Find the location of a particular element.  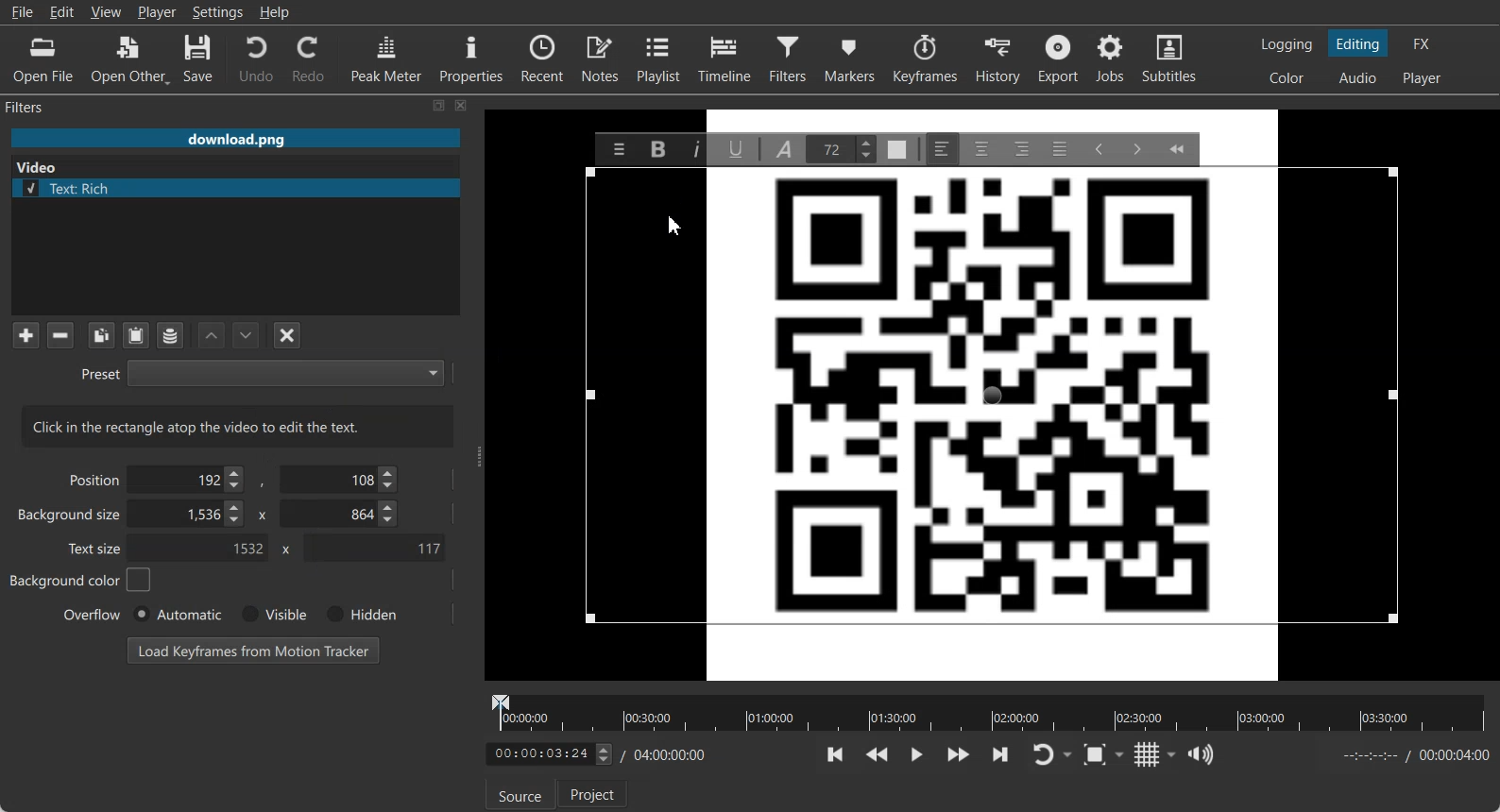

x is located at coordinates (282, 550).